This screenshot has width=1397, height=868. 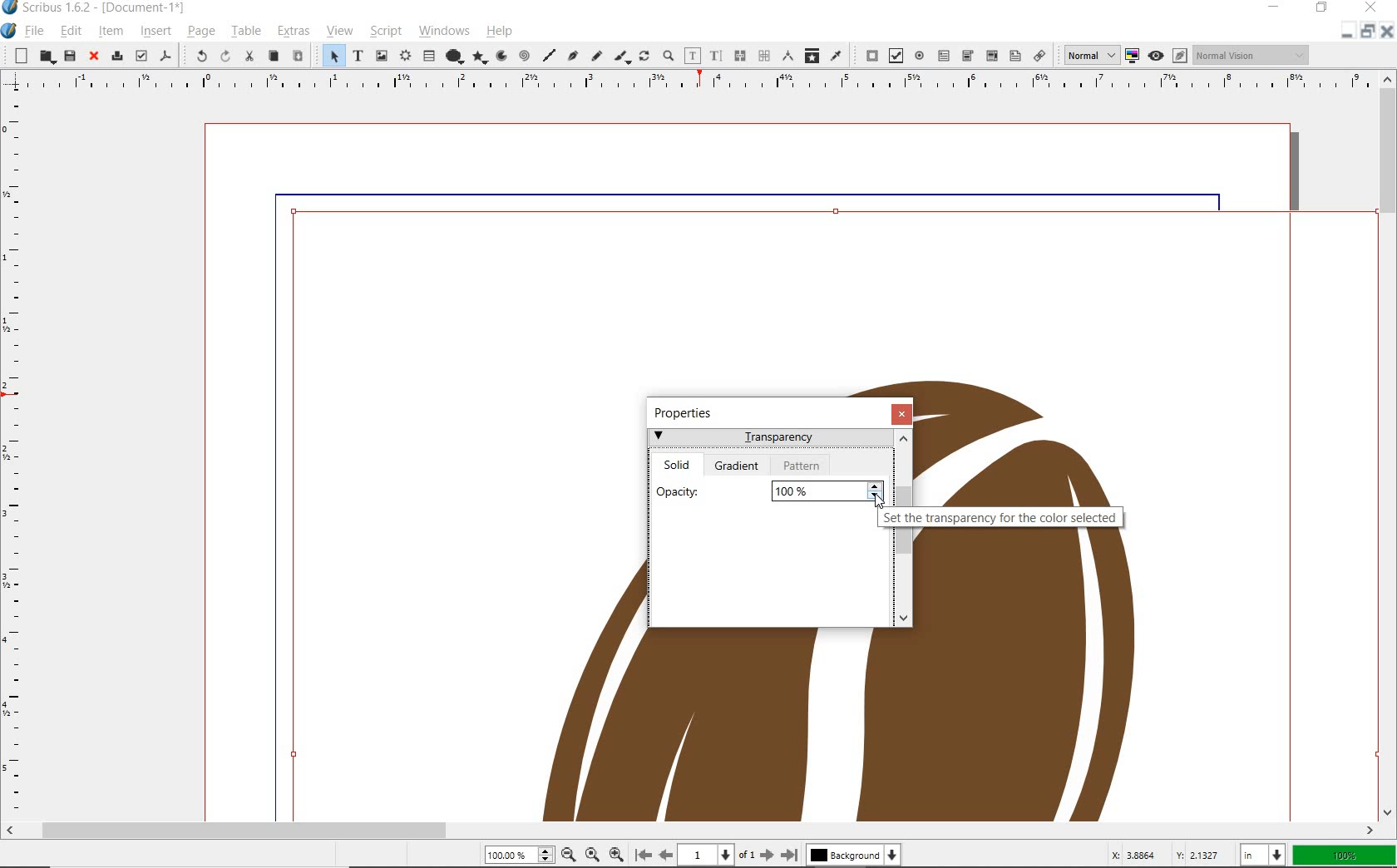 I want to click on pdf list box, so click(x=1014, y=57).